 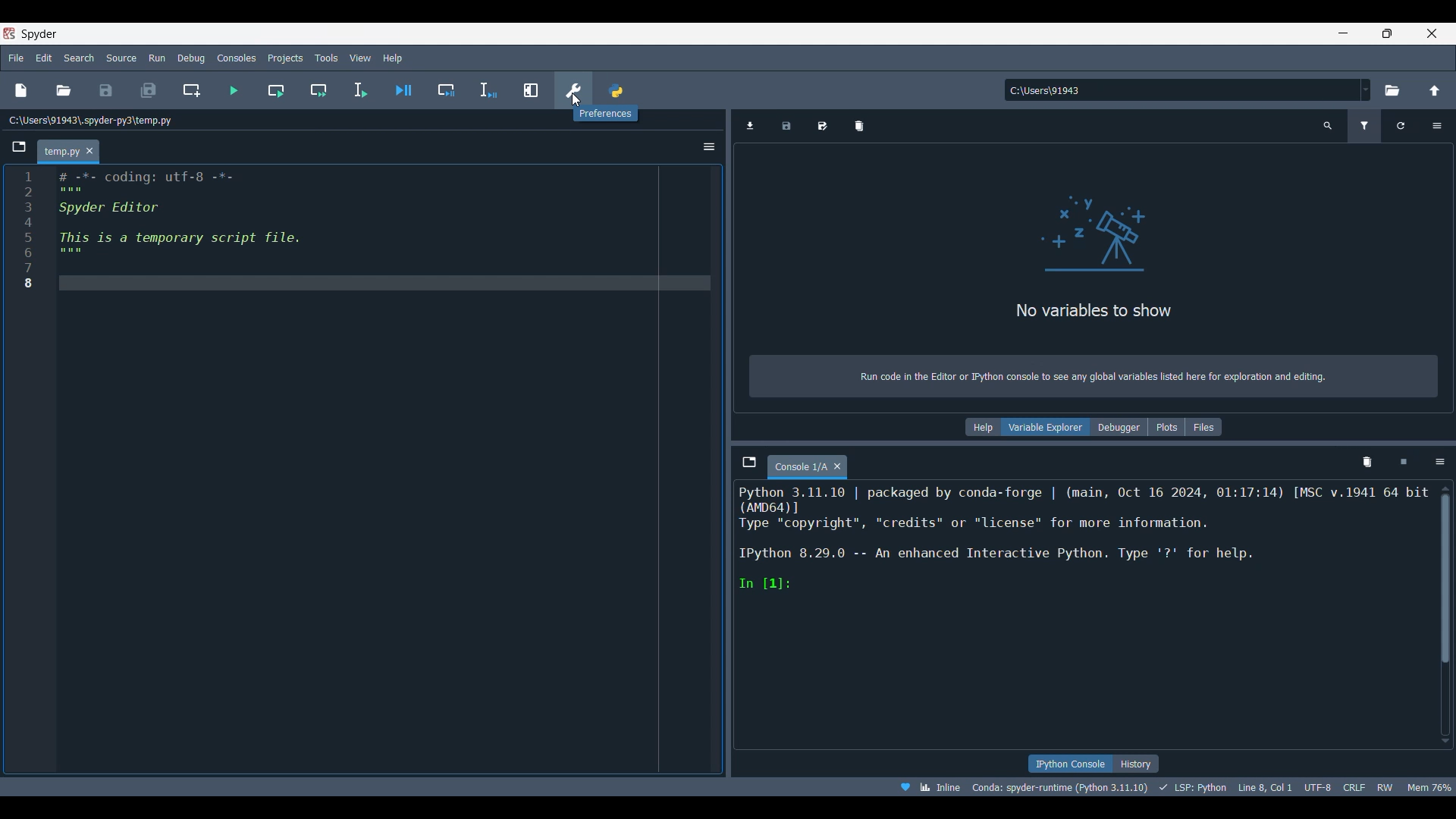 I want to click on Search menu, so click(x=80, y=58).